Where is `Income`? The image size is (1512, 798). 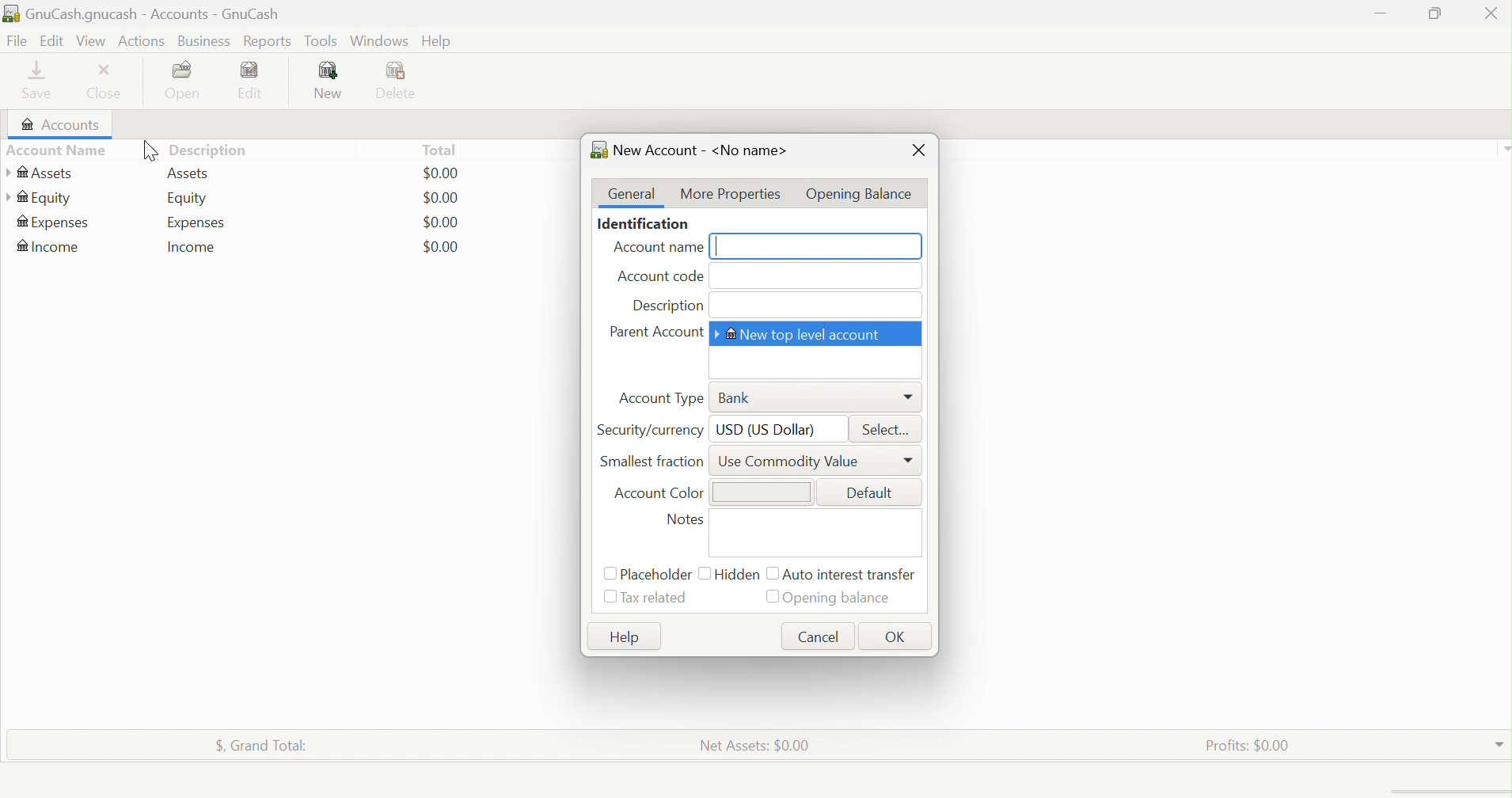
Income is located at coordinates (51, 246).